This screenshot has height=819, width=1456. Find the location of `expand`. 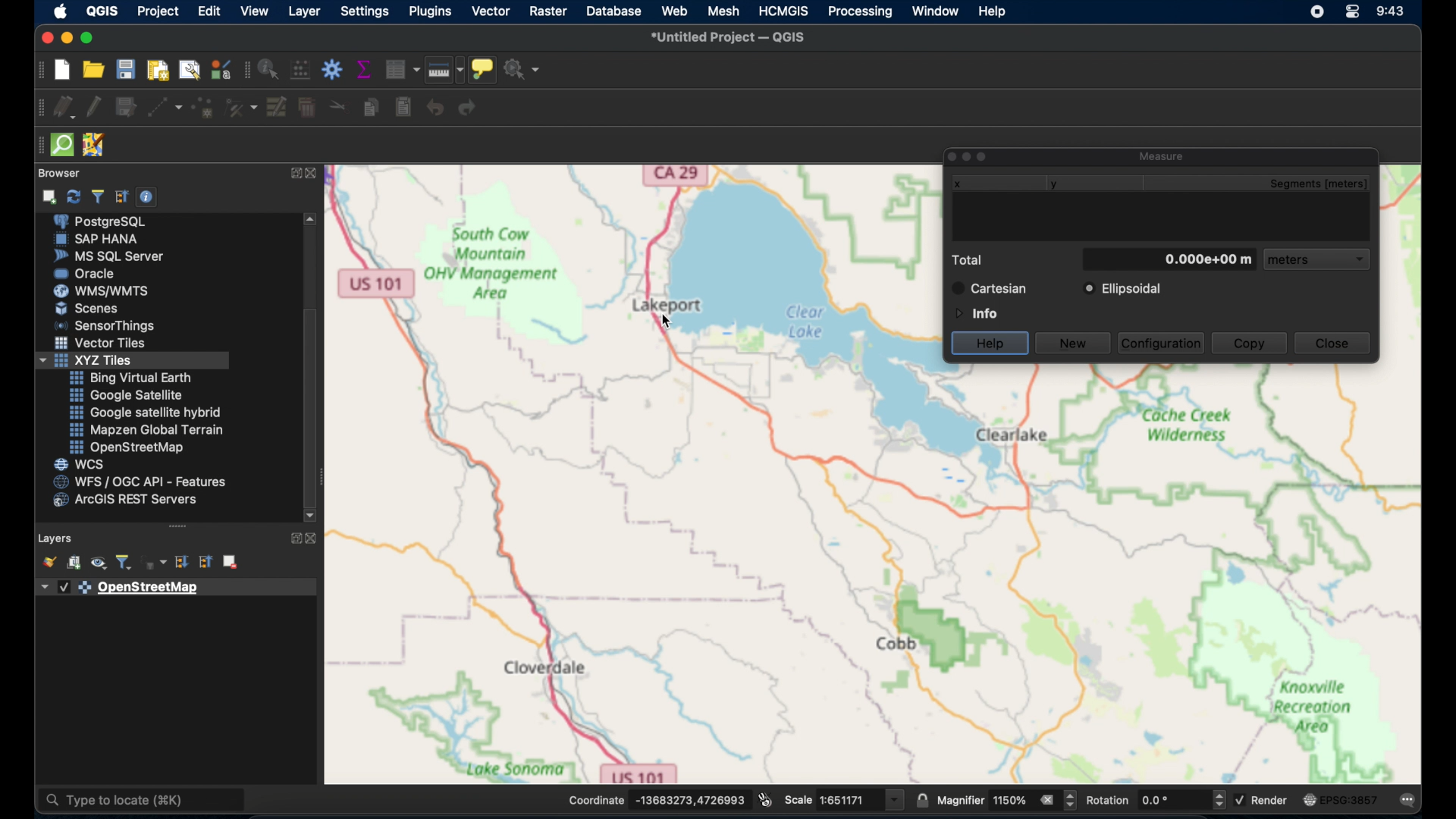

expand is located at coordinates (293, 538).